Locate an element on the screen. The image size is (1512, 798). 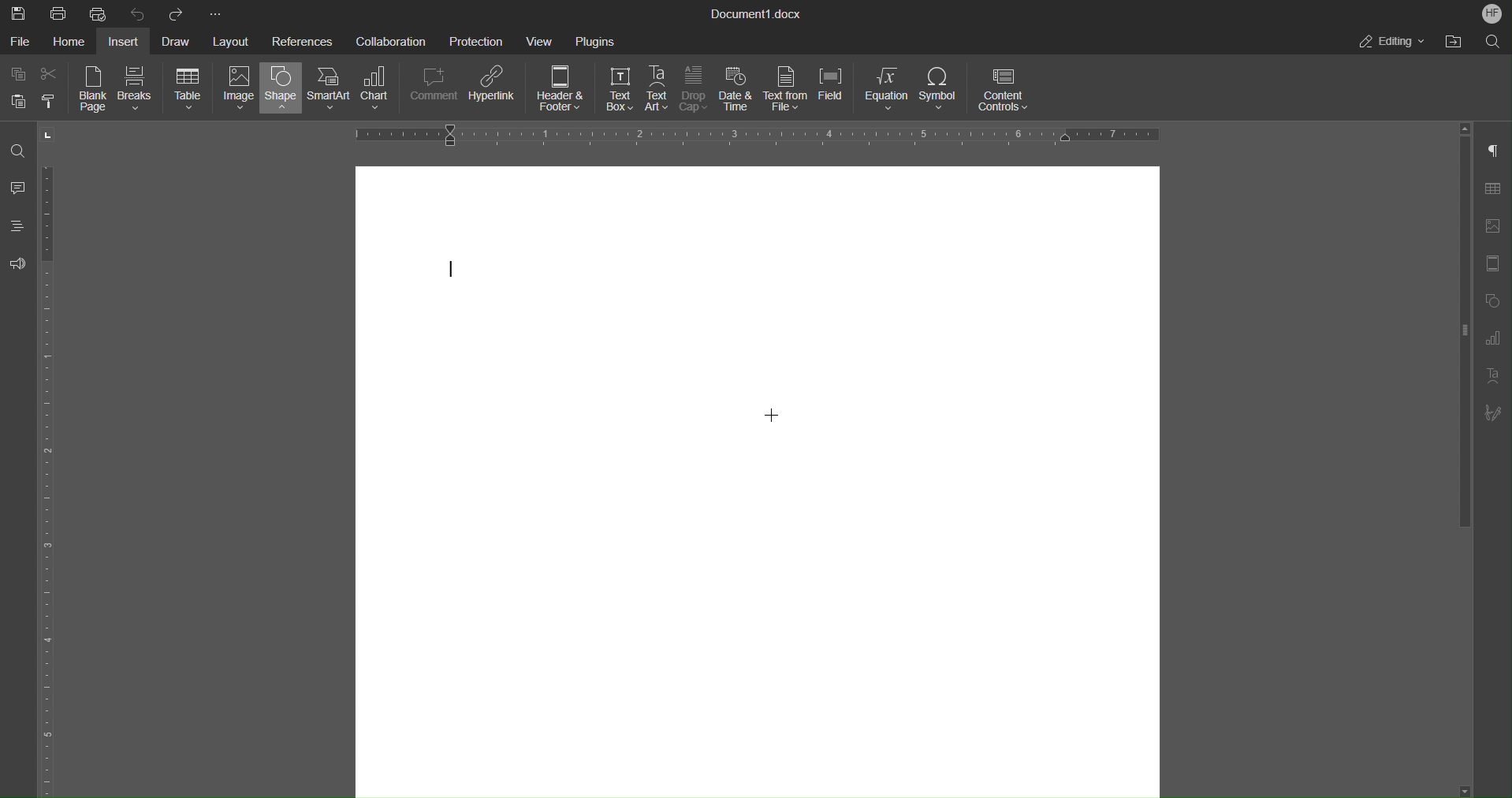
Header & Footer is located at coordinates (562, 91).